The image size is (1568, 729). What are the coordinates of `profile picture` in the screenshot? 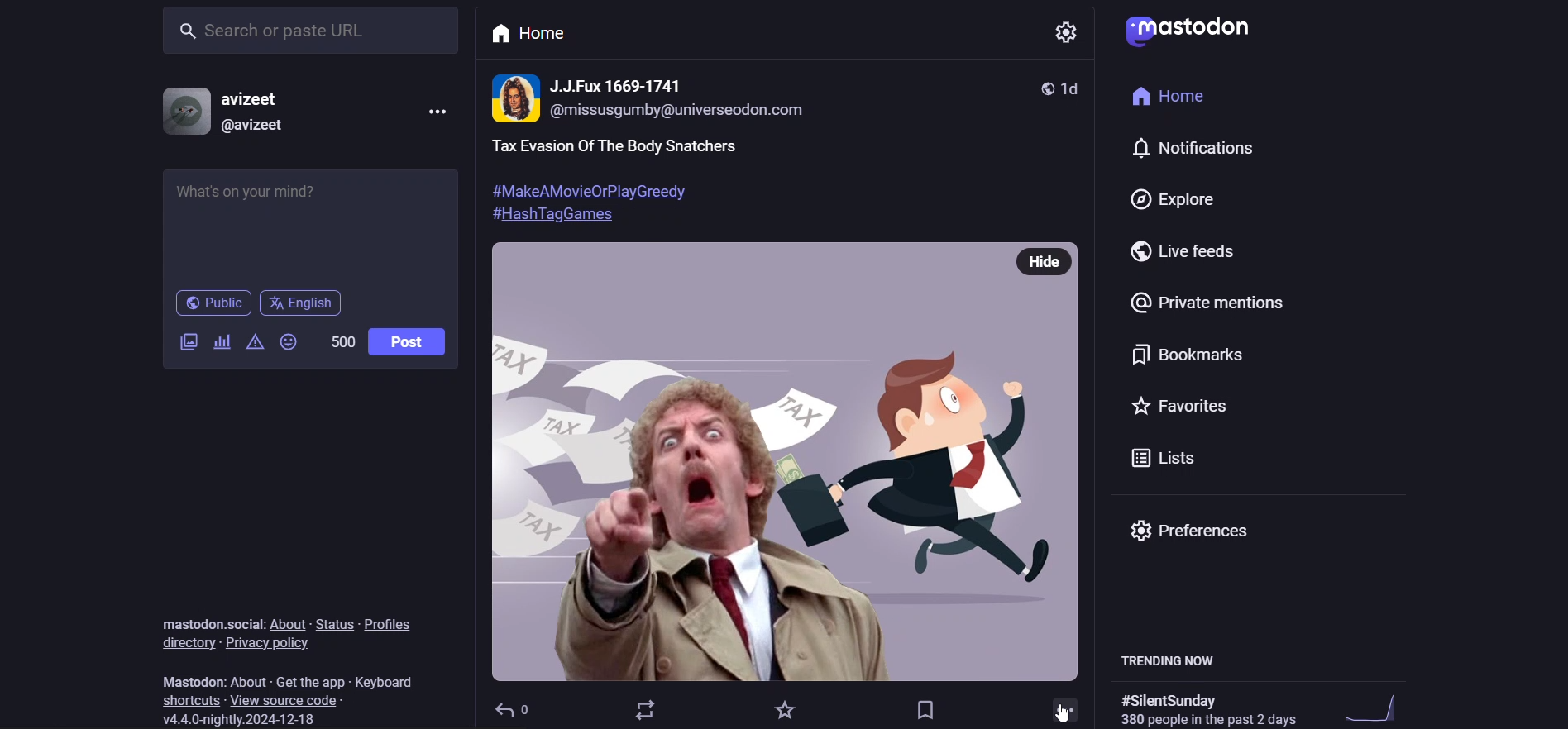 It's located at (516, 98).